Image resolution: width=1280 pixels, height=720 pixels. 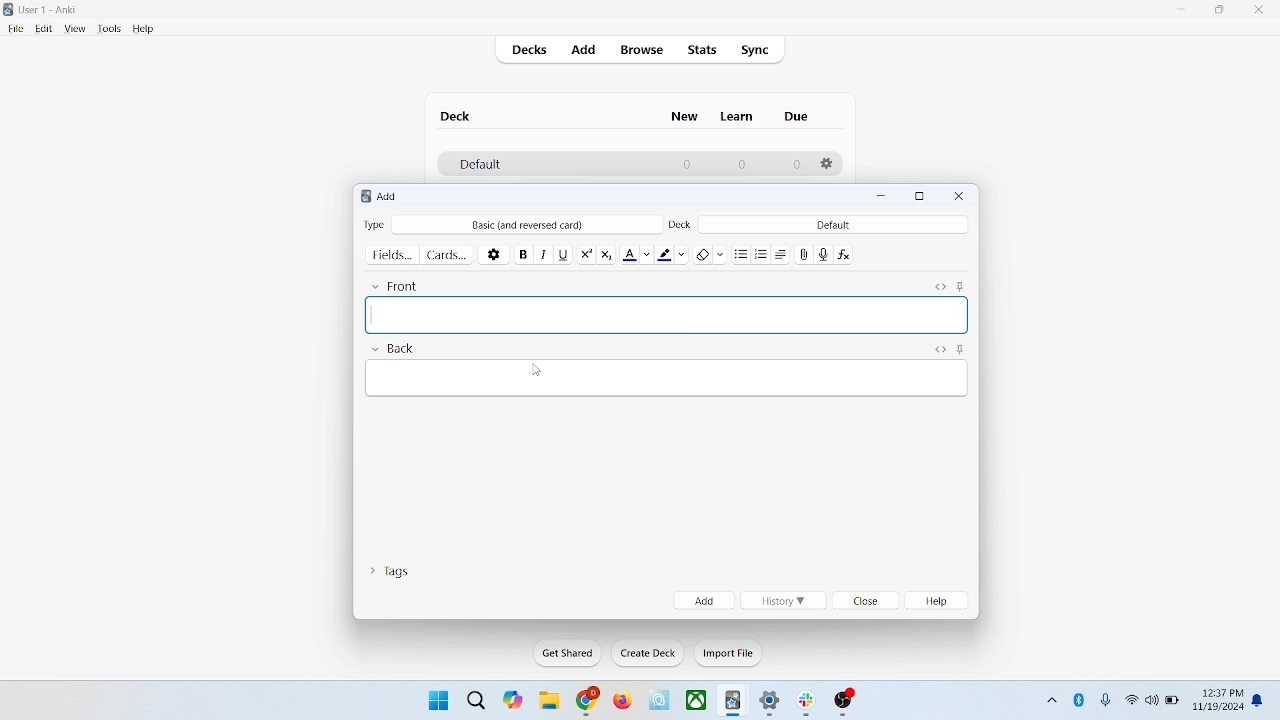 What do you see at coordinates (45, 28) in the screenshot?
I see `edit` at bounding box center [45, 28].